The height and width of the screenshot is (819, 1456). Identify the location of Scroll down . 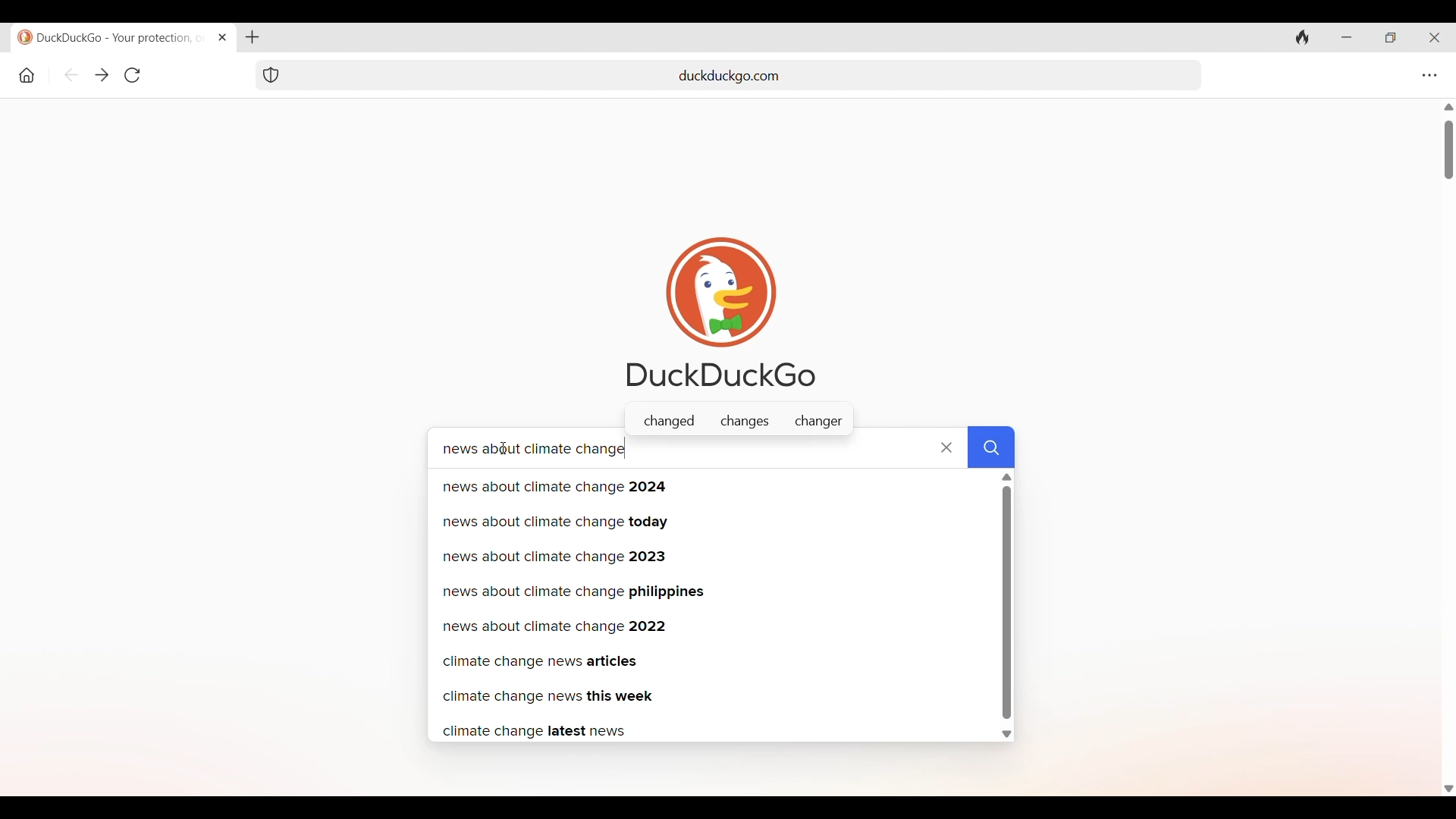
(1447, 789).